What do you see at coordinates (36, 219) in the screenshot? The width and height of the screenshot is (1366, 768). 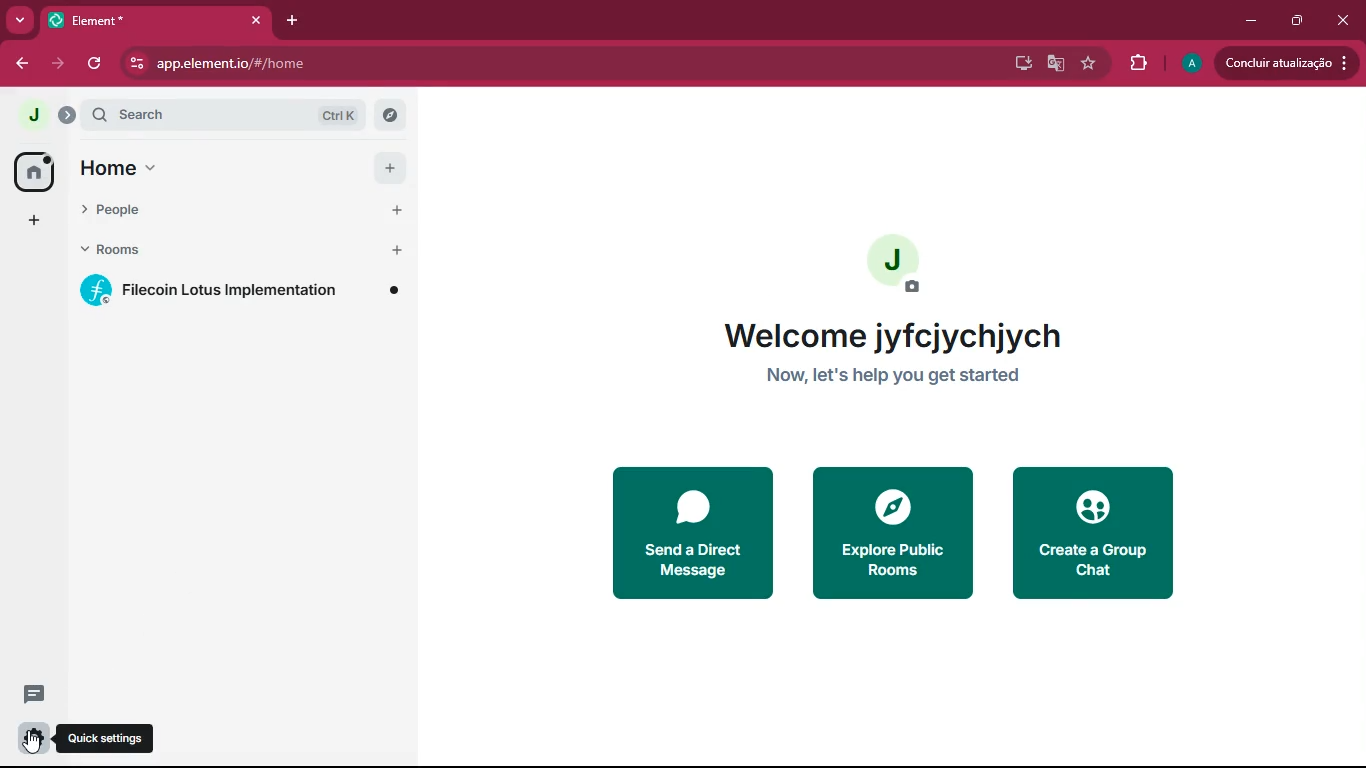 I see `more` at bounding box center [36, 219].